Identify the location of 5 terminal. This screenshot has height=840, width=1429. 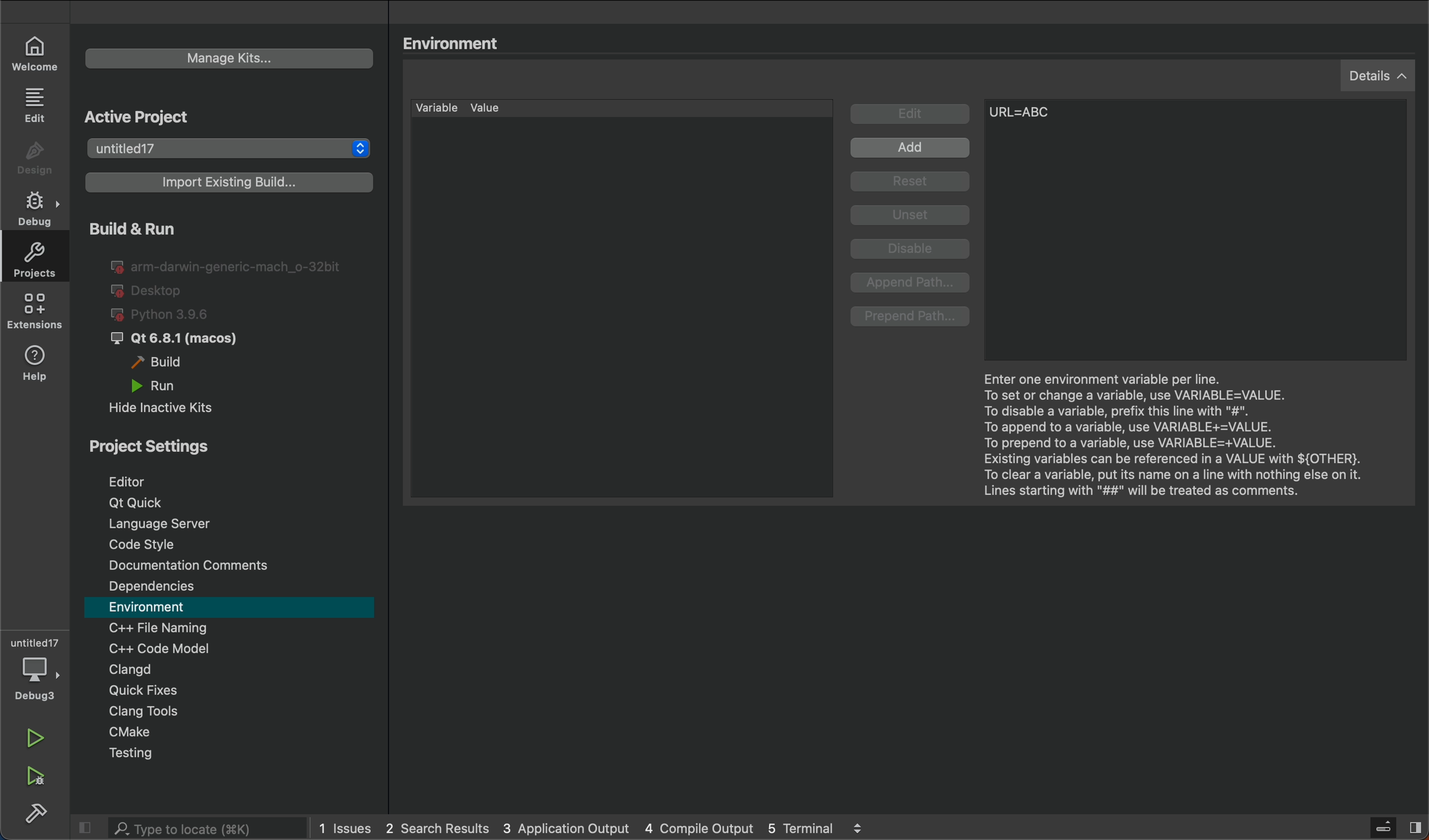
(849, 828).